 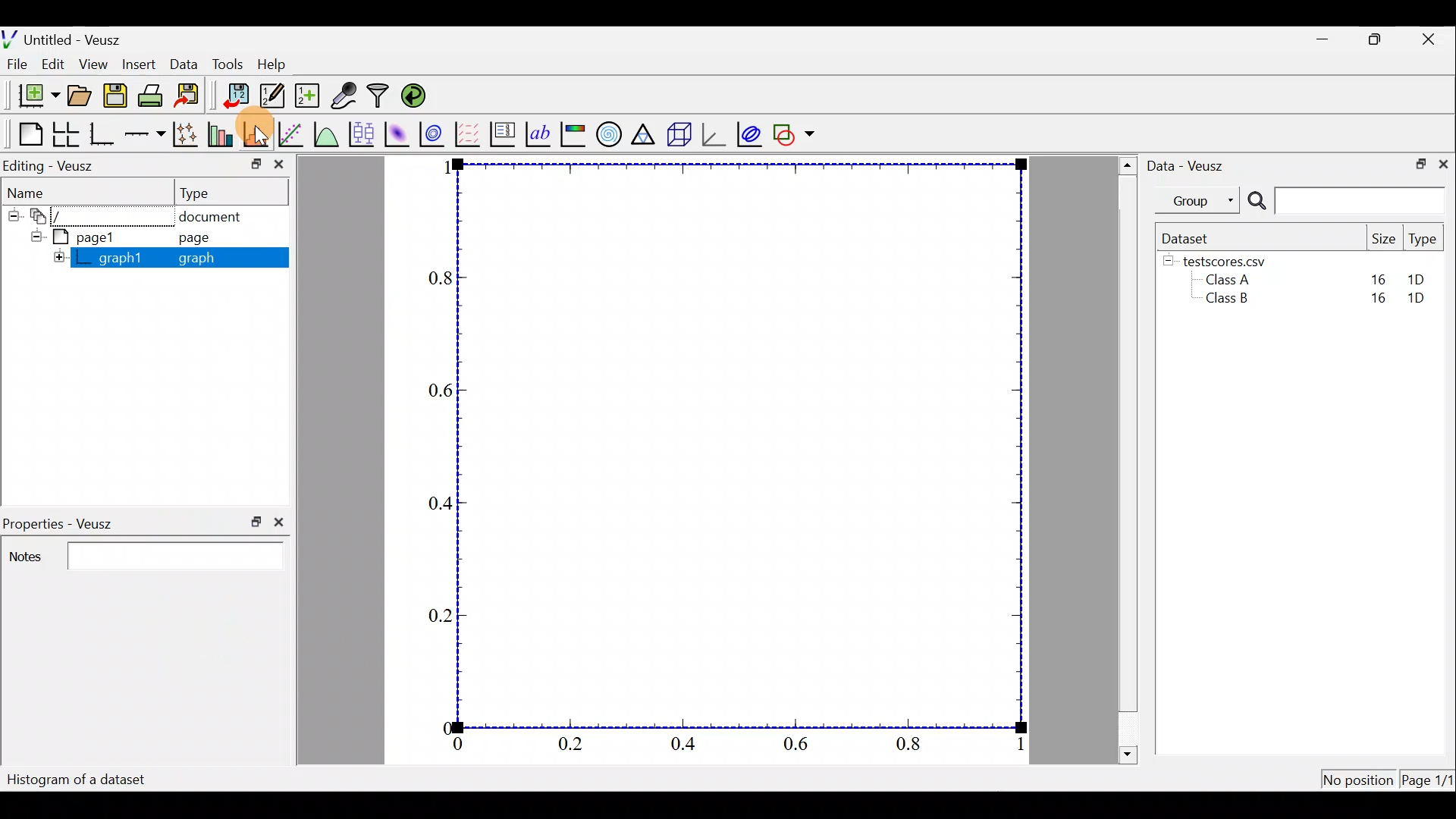 What do you see at coordinates (77, 778) in the screenshot?
I see `Histogram of a dataset` at bounding box center [77, 778].